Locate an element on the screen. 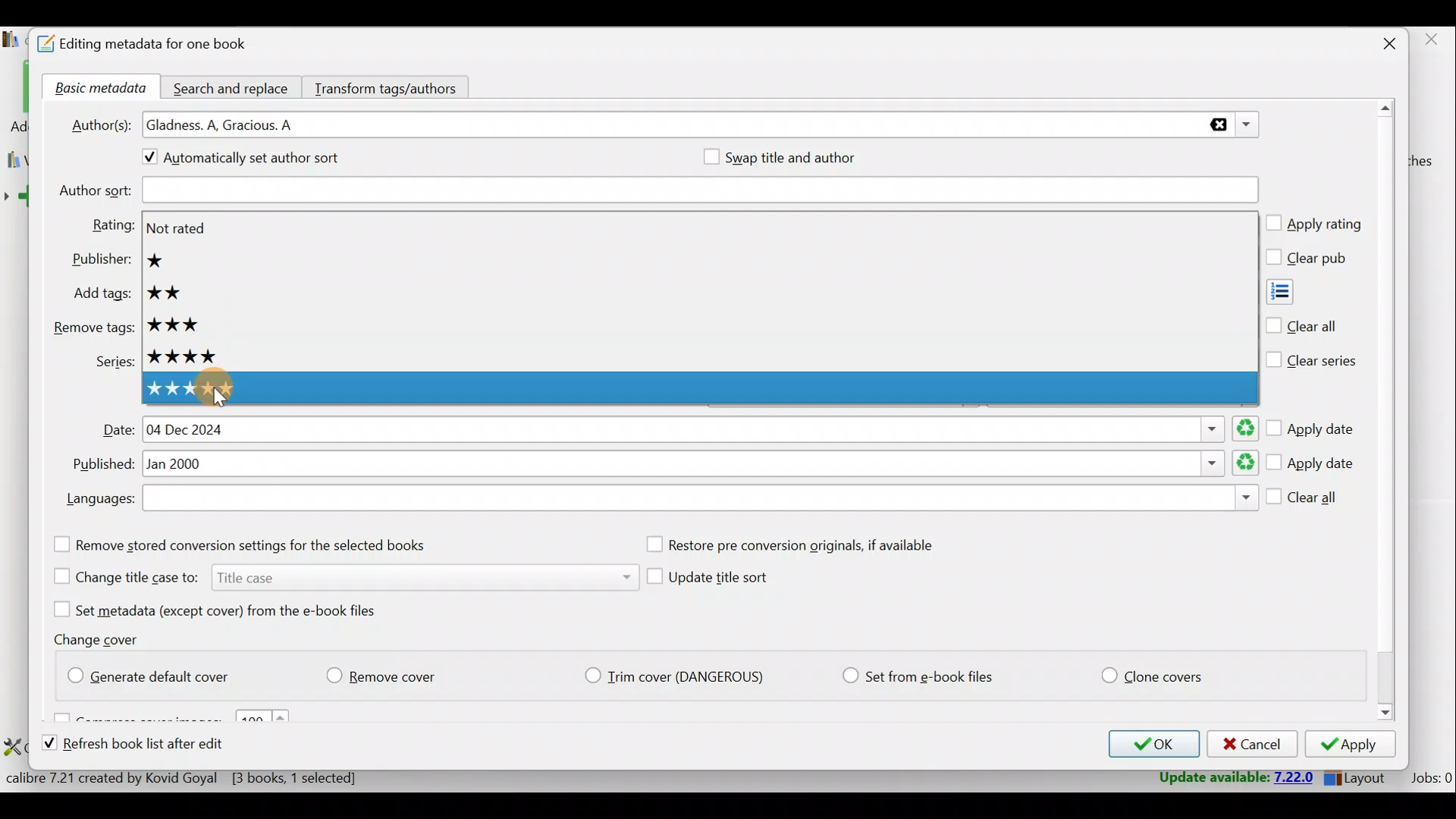  Automatically set author sort is located at coordinates (253, 160).